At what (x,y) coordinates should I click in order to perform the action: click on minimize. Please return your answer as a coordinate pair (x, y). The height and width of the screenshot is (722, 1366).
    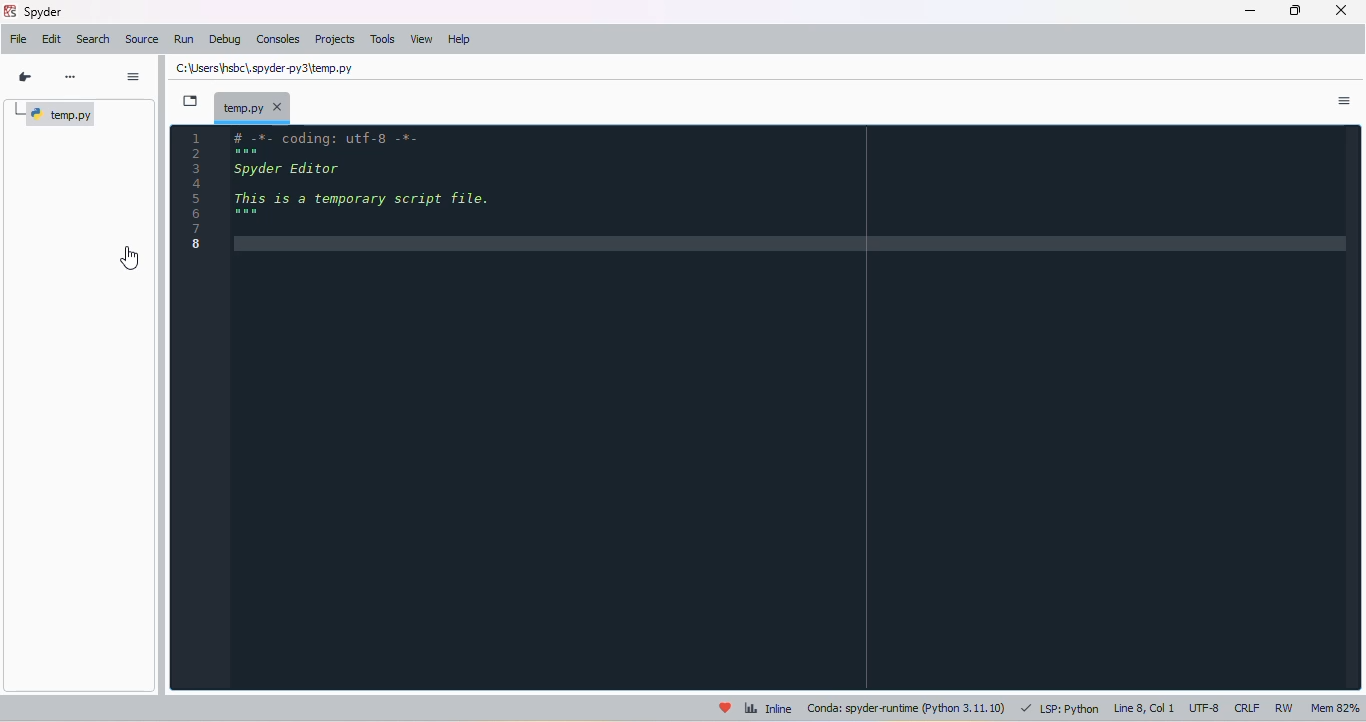
    Looking at the image, I should click on (1252, 11).